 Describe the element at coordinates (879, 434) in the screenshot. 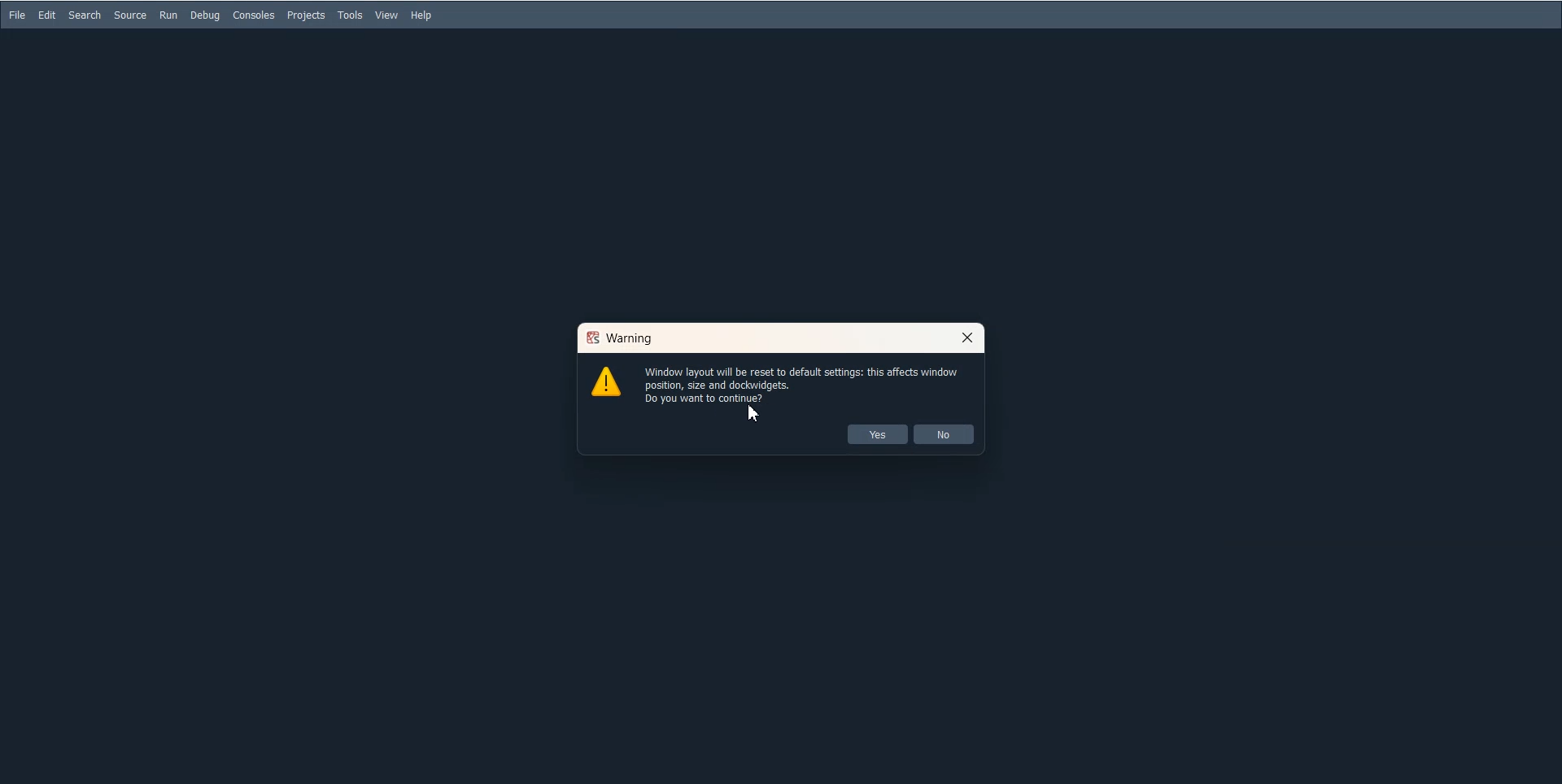

I see `Yes` at that location.